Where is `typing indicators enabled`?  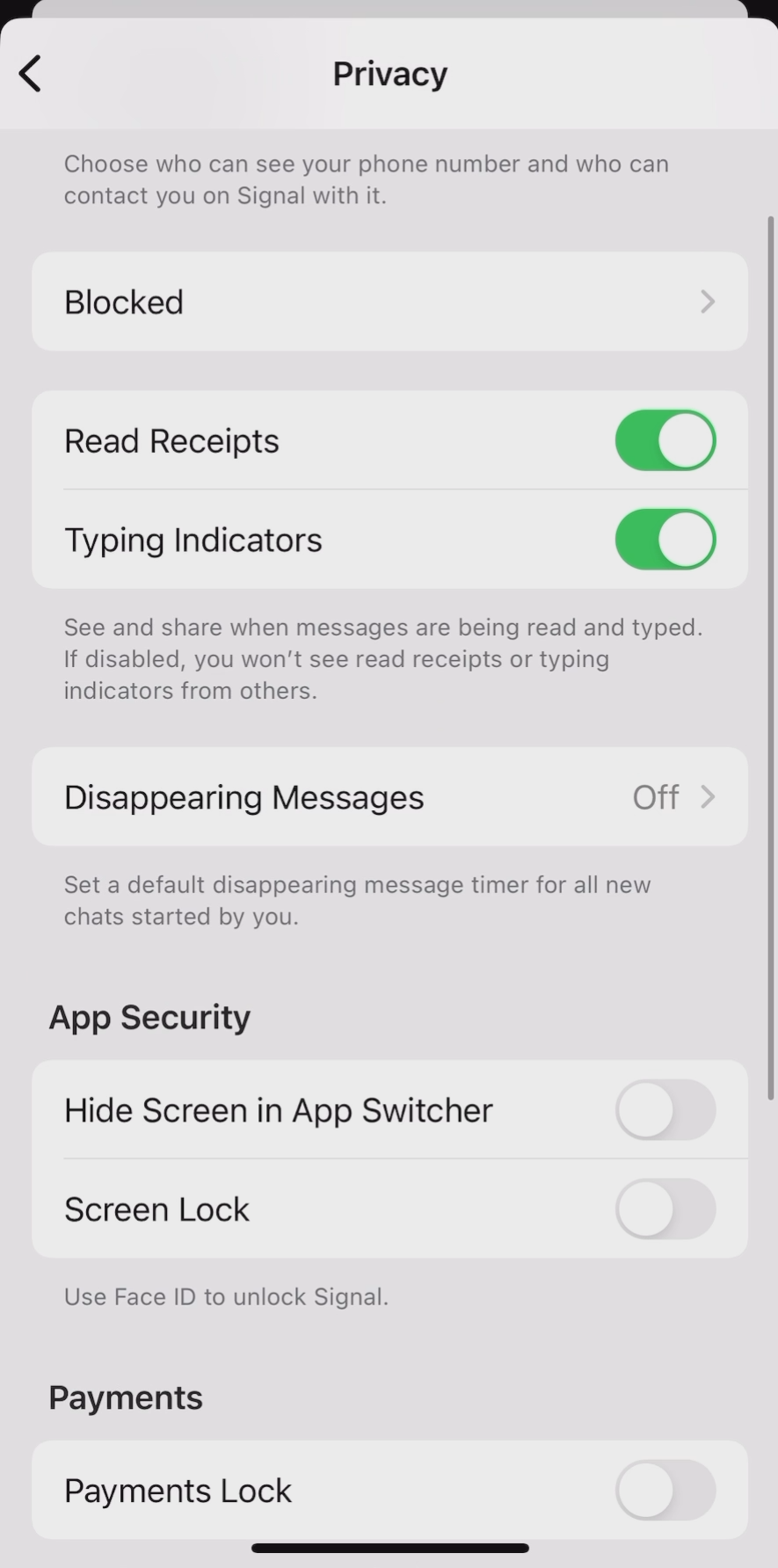 typing indicators enabled is located at coordinates (390, 535).